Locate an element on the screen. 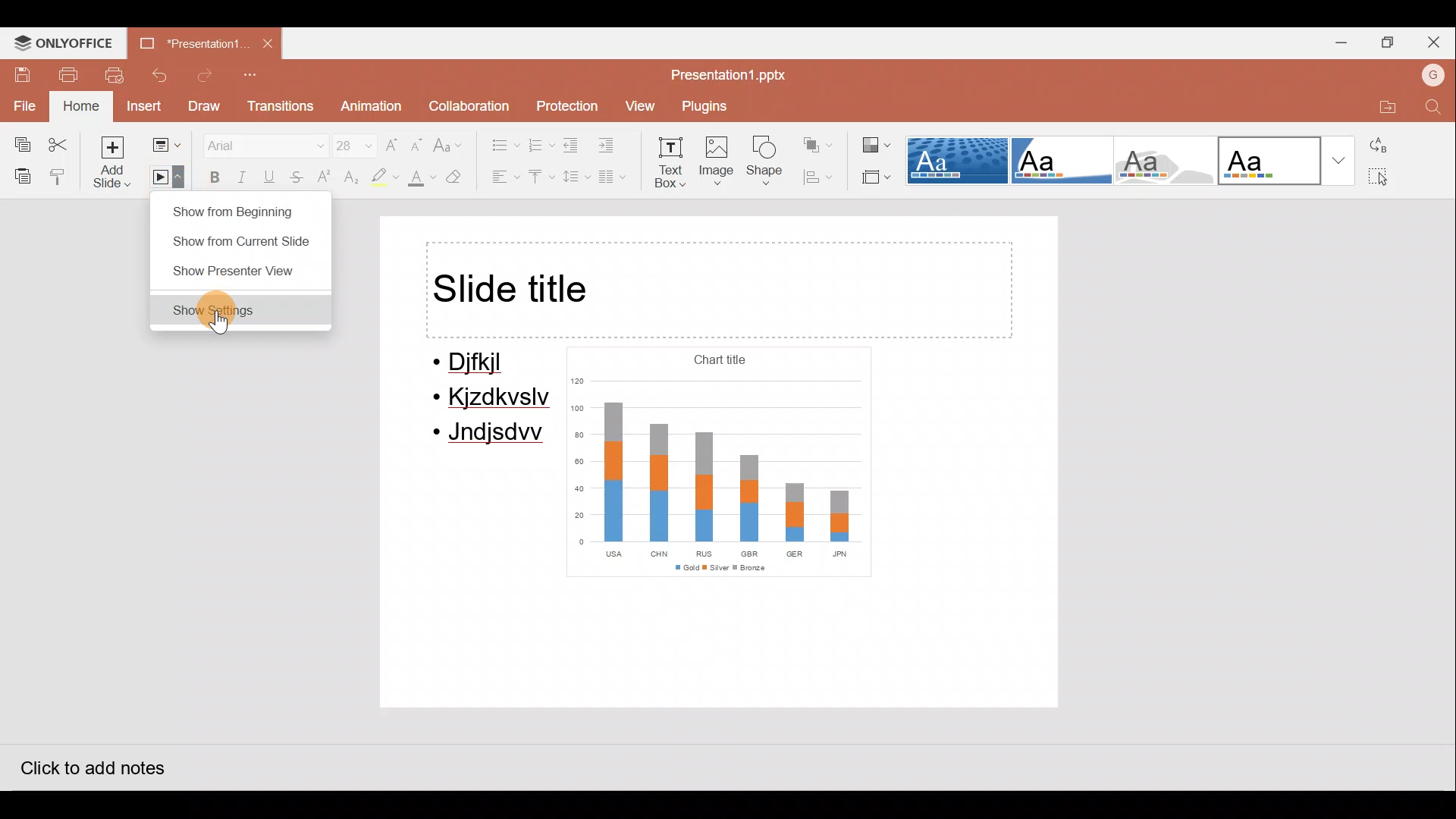  Decrease indent is located at coordinates (570, 145).